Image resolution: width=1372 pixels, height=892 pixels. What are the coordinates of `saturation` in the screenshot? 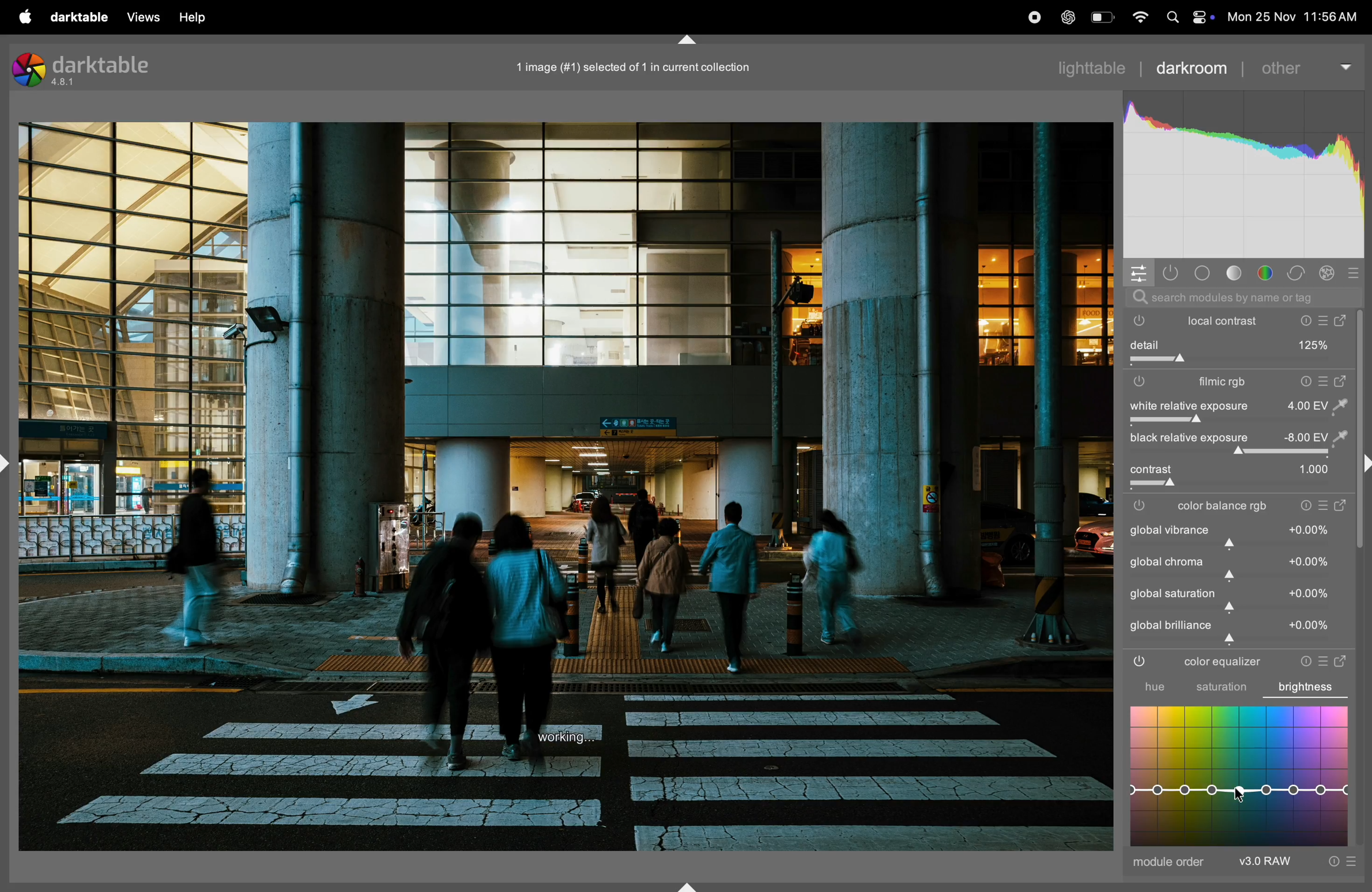 It's located at (1220, 689).